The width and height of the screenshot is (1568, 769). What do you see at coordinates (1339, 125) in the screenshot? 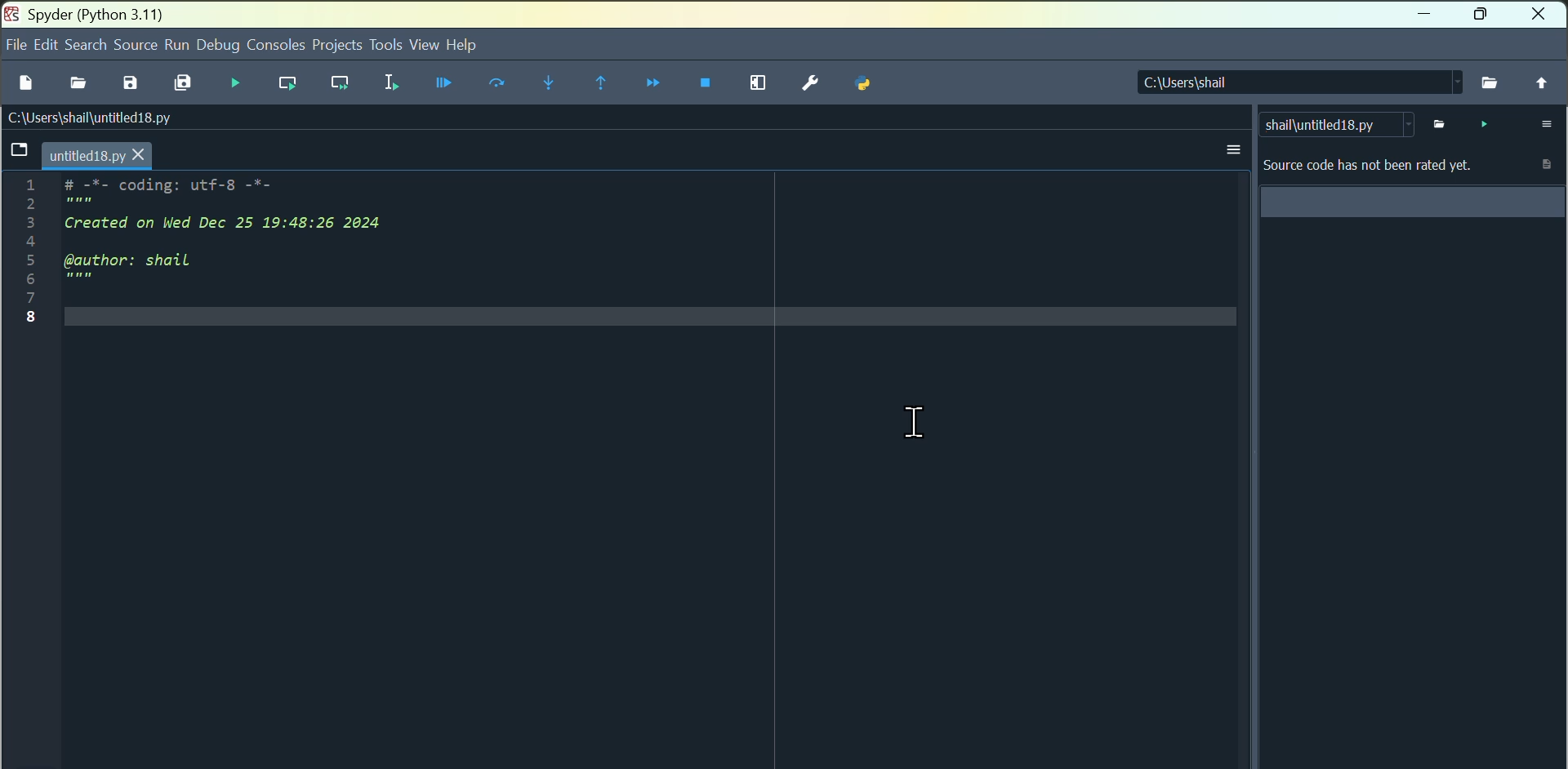
I see `shail\untitled18py` at bounding box center [1339, 125].